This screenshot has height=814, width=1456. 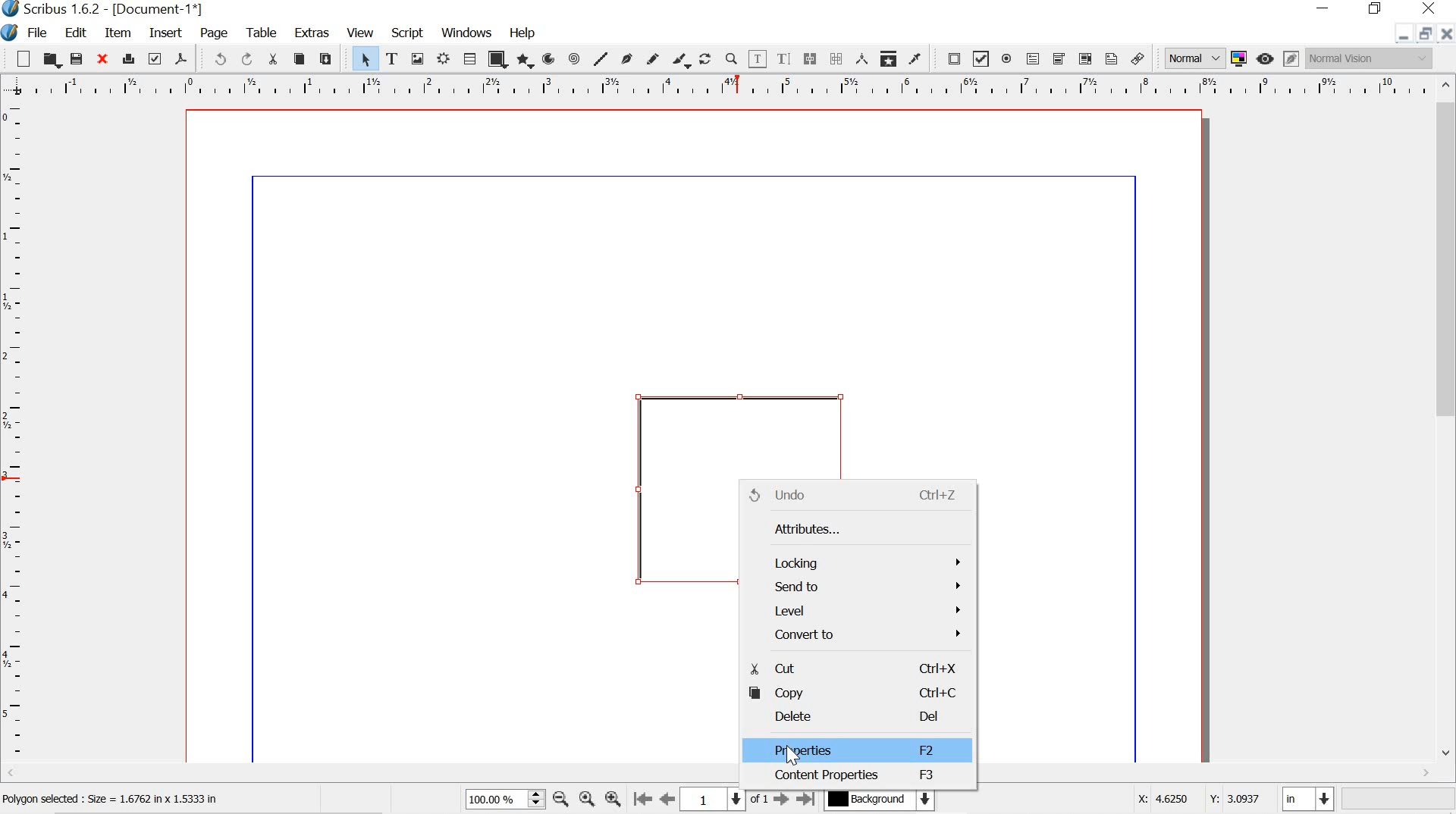 I want to click on PAGE, so click(x=215, y=33).